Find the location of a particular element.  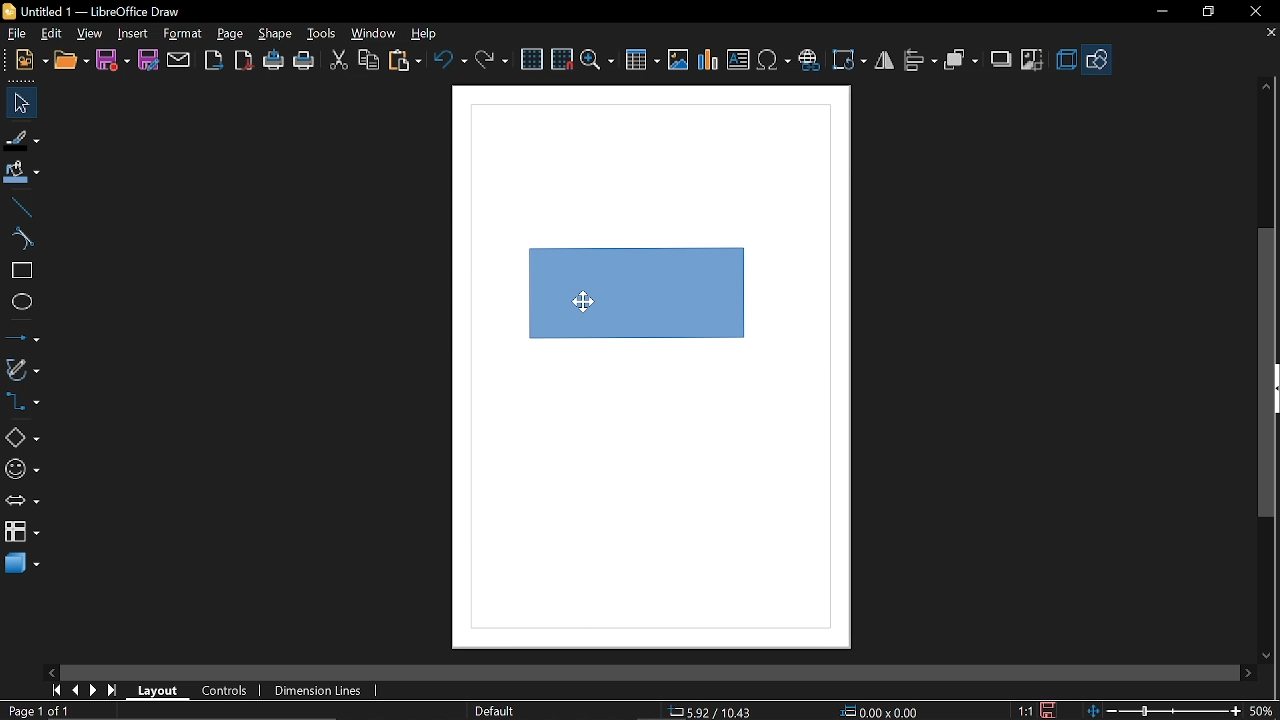

Edit is located at coordinates (53, 32).